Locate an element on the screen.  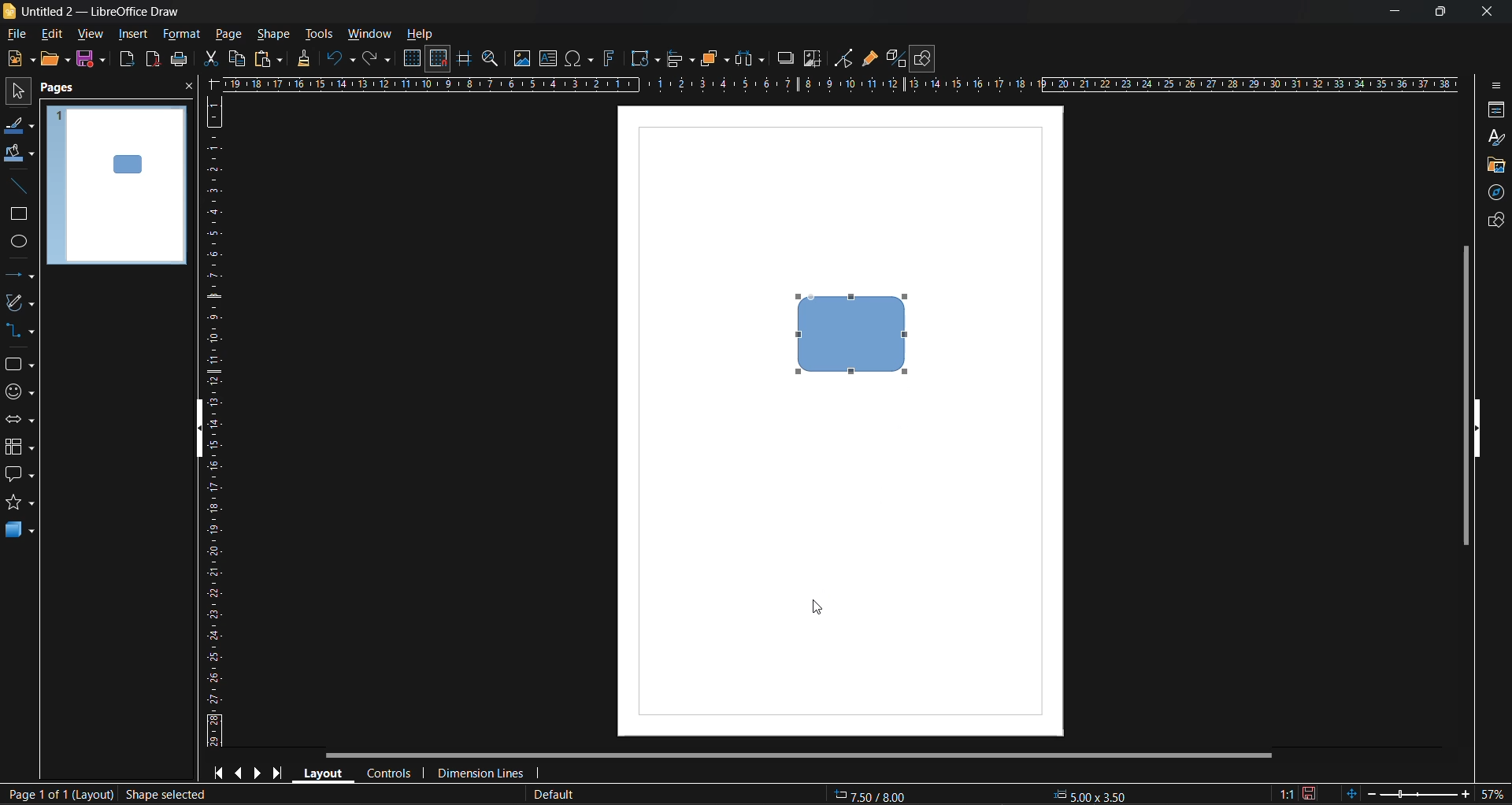
toggle extrusion is located at coordinates (894, 58).